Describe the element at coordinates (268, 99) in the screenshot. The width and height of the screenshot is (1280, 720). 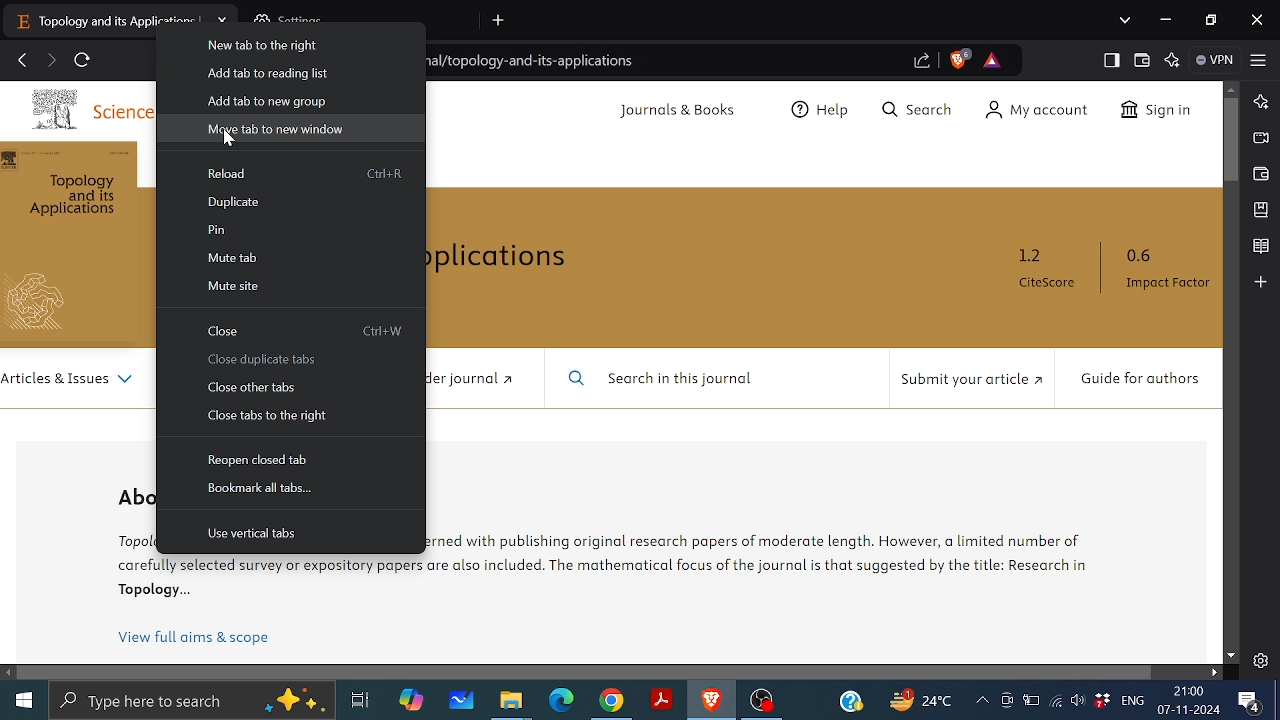
I see `Add tab to new group` at that location.